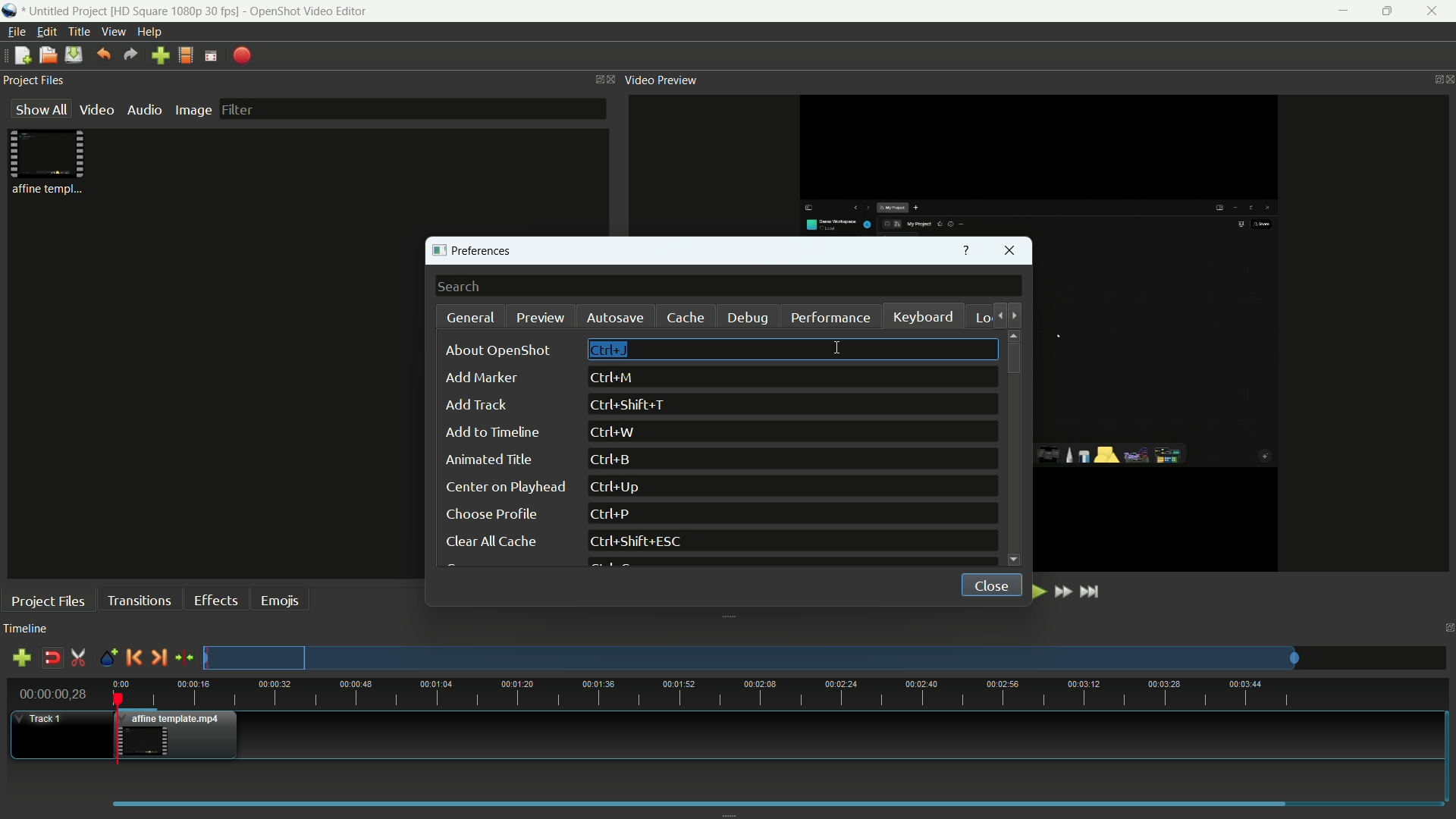 This screenshot has height=819, width=1456. I want to click on selected text, so click(609, 350).